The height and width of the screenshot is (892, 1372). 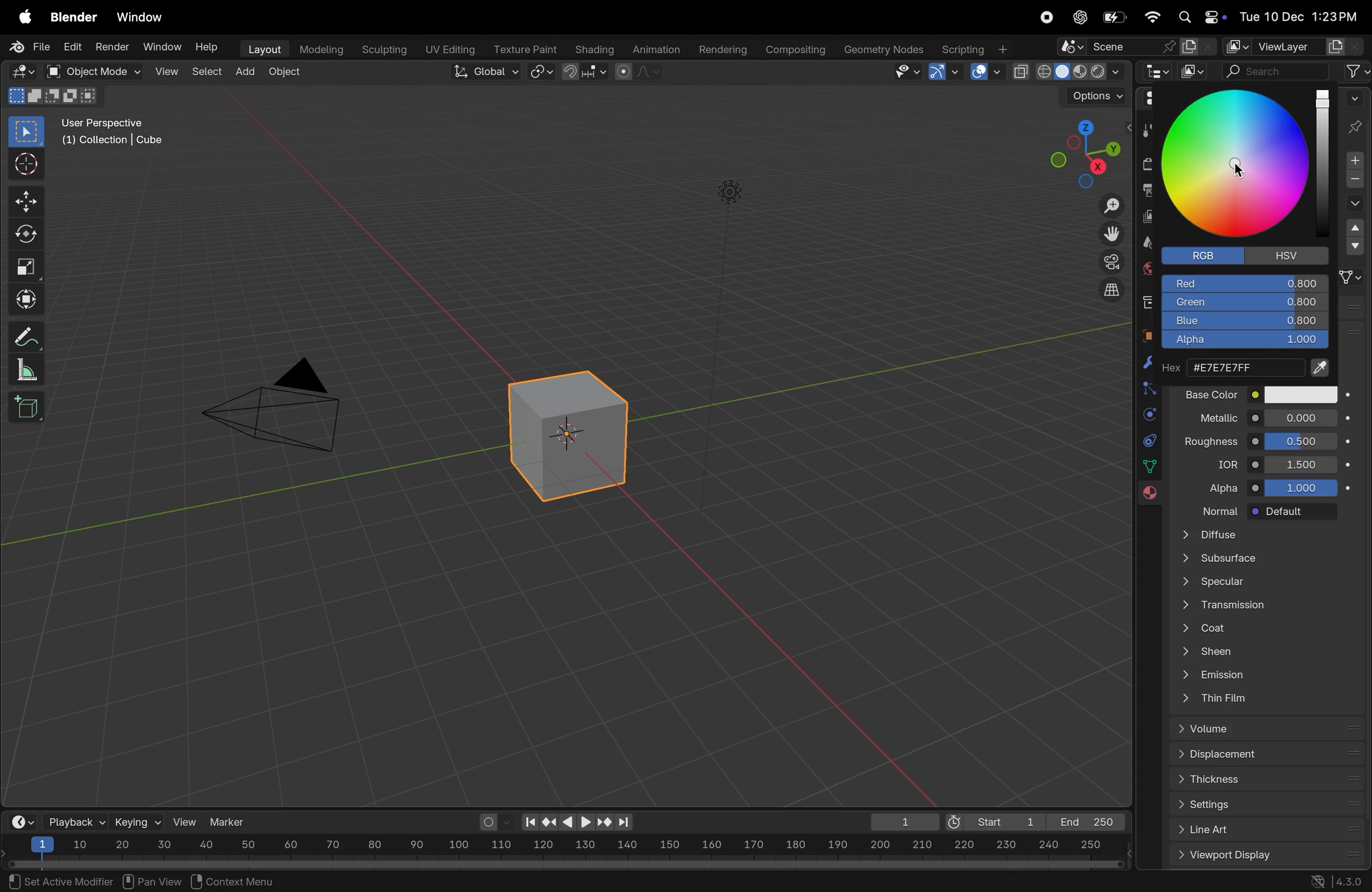 What do you see at coordinates (1272, 729) in the screenshot?
I see `volume` at bounding box center [1272, 729].